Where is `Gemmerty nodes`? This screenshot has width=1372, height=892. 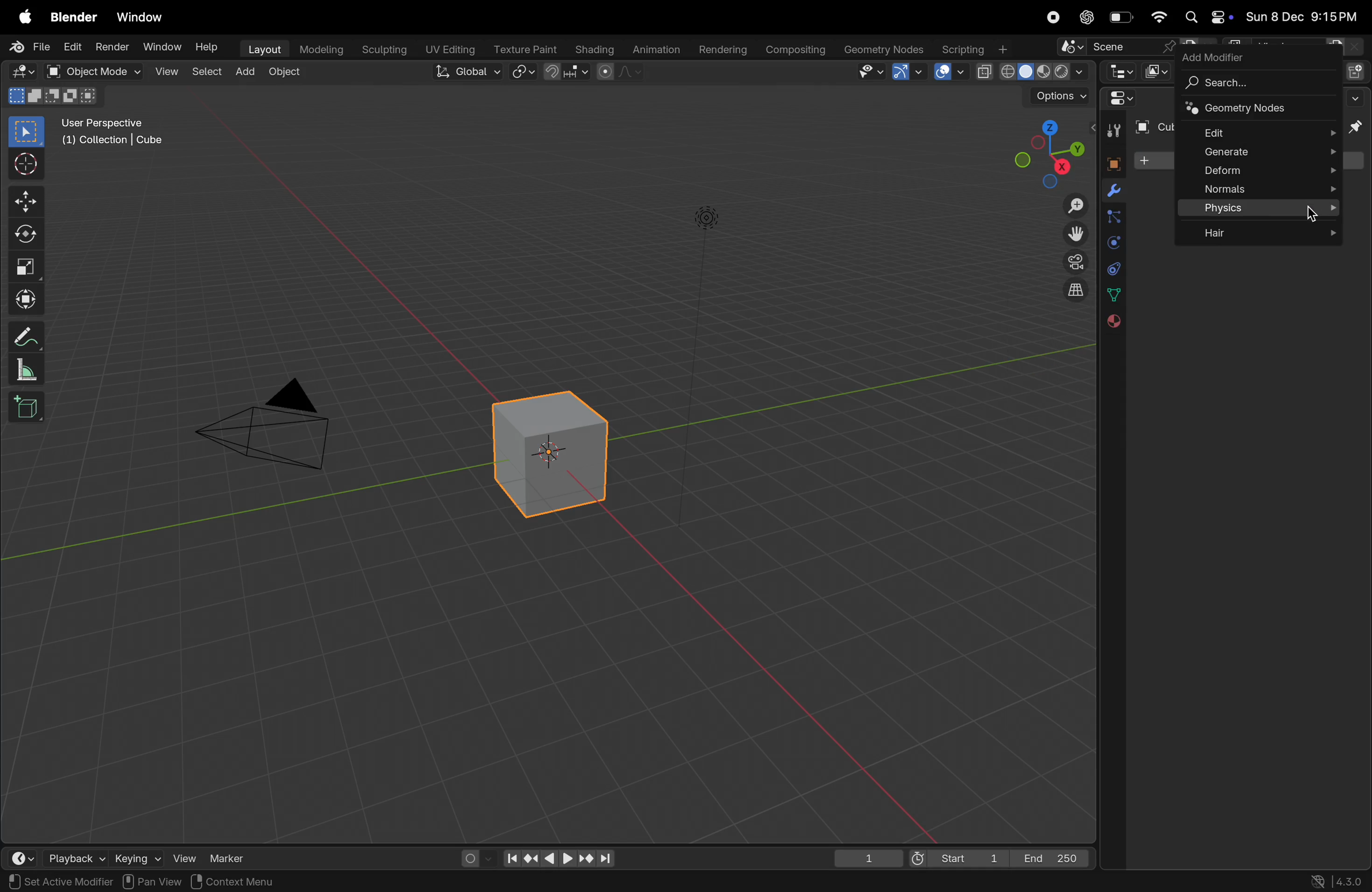
Gemmerty nodes is located at coordinates (883, 50).